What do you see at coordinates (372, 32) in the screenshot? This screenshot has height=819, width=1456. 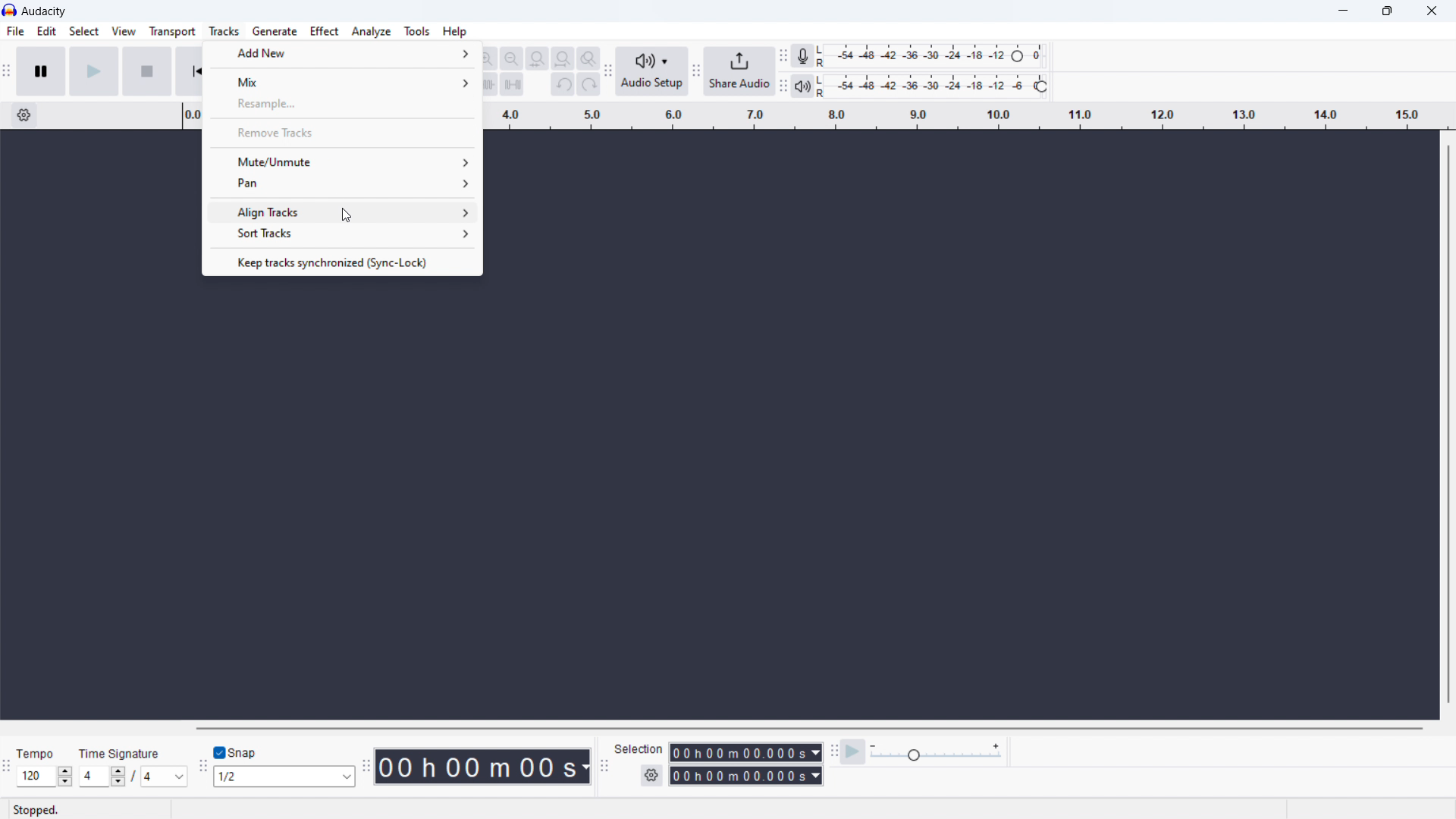 I see `analyze` at bounding box center [372, 32].